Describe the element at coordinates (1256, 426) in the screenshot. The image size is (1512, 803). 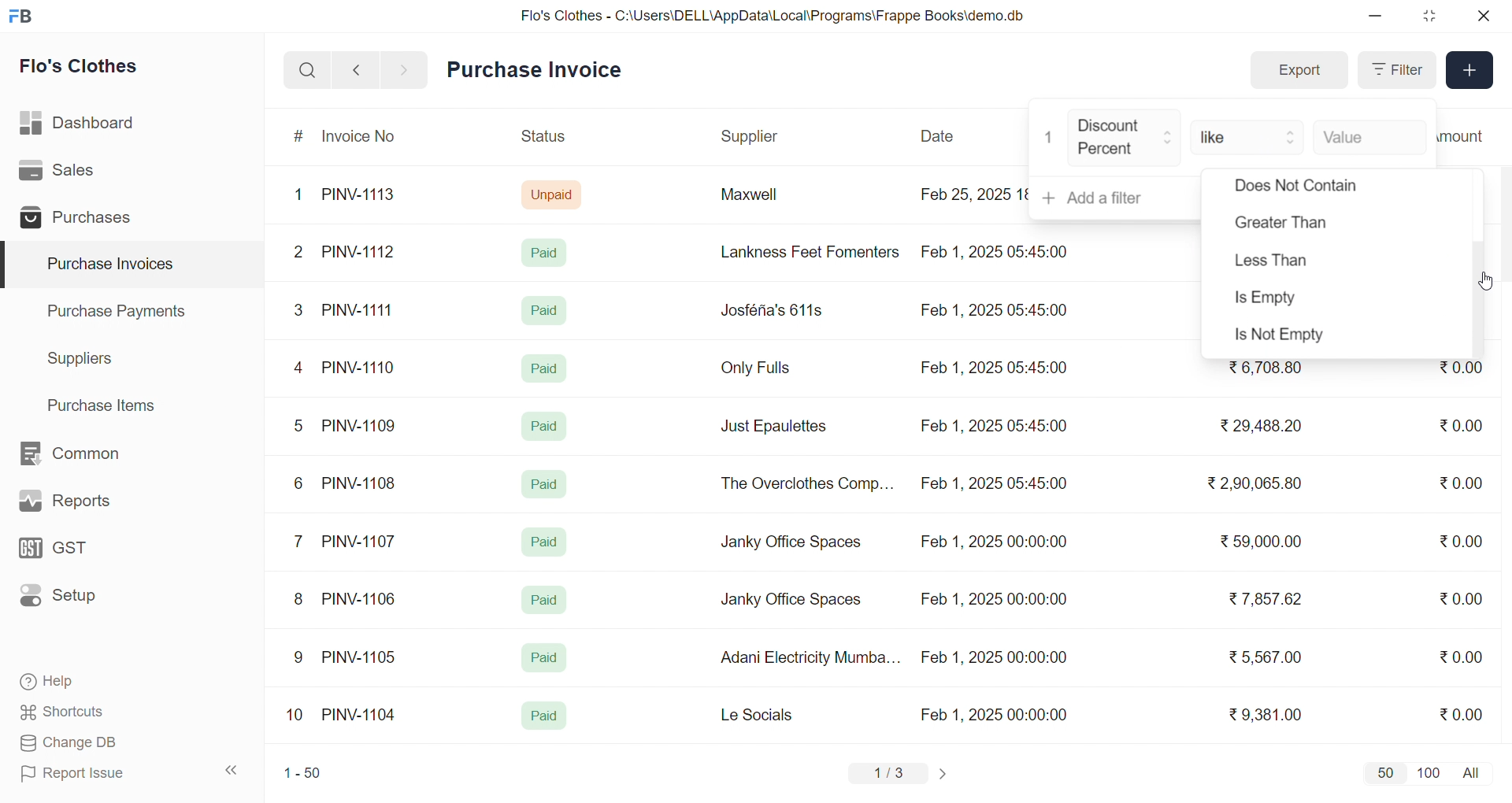
I see `₹29,488.20` at that location.